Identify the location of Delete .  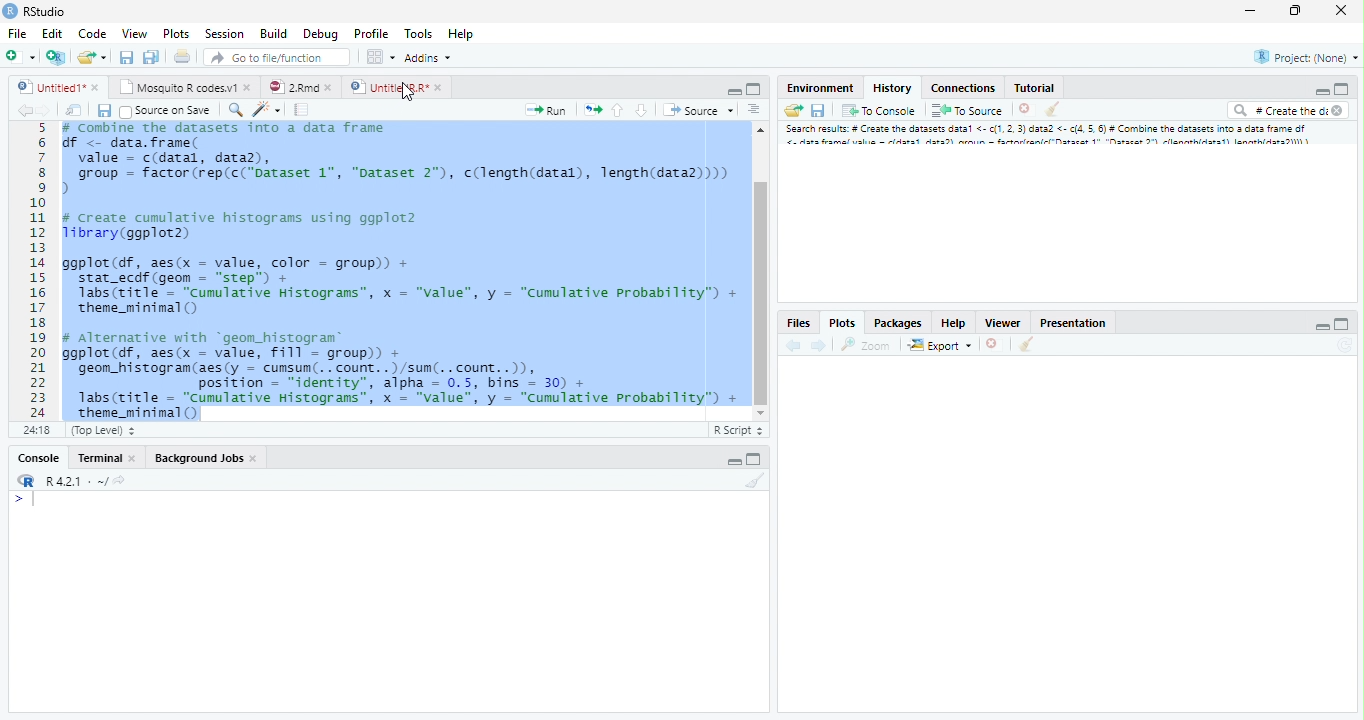
(992, 342).